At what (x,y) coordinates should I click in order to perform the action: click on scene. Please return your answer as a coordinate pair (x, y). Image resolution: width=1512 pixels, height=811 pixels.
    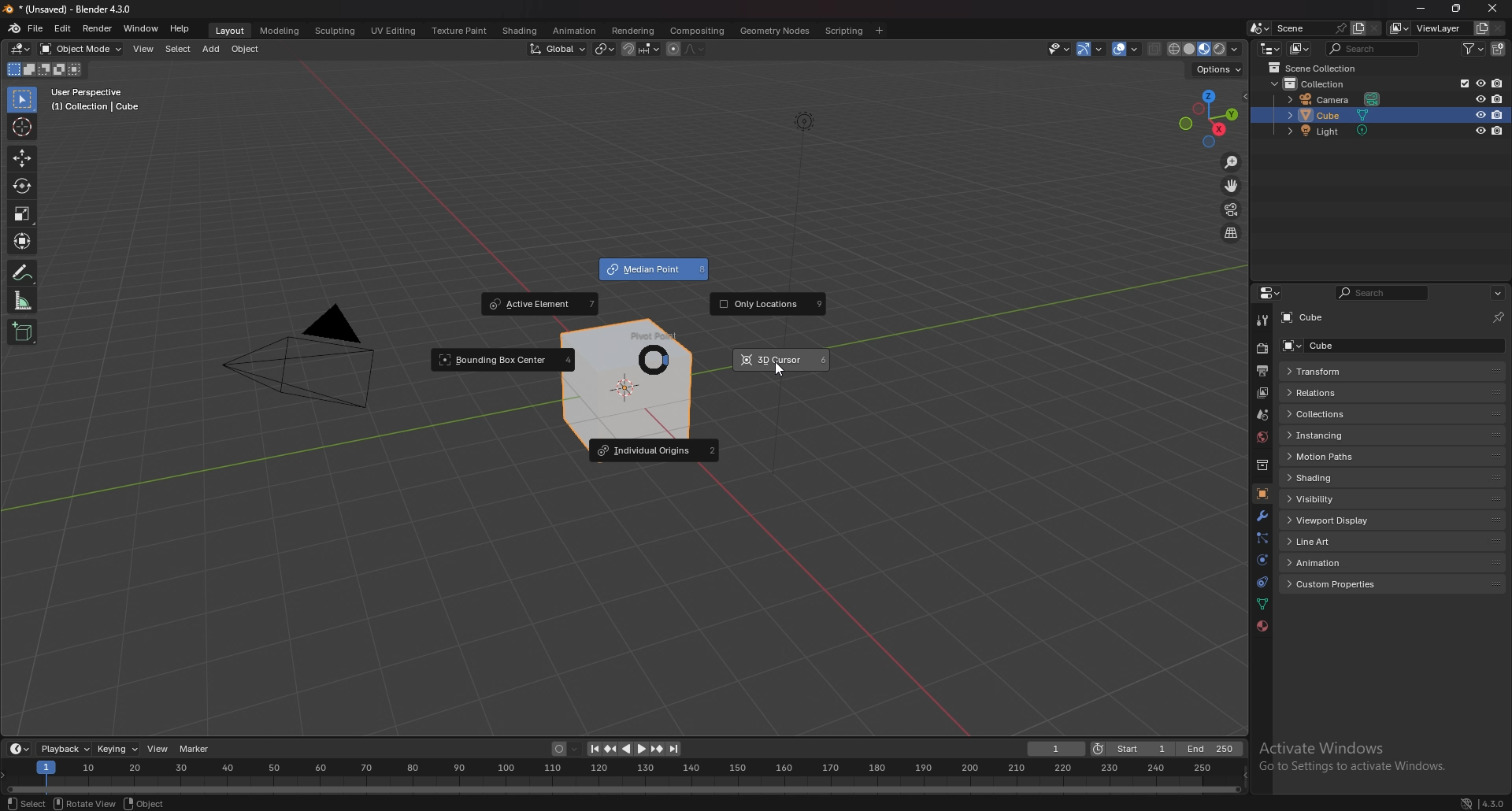
    Looking at the image, I should click on (1262, 415).